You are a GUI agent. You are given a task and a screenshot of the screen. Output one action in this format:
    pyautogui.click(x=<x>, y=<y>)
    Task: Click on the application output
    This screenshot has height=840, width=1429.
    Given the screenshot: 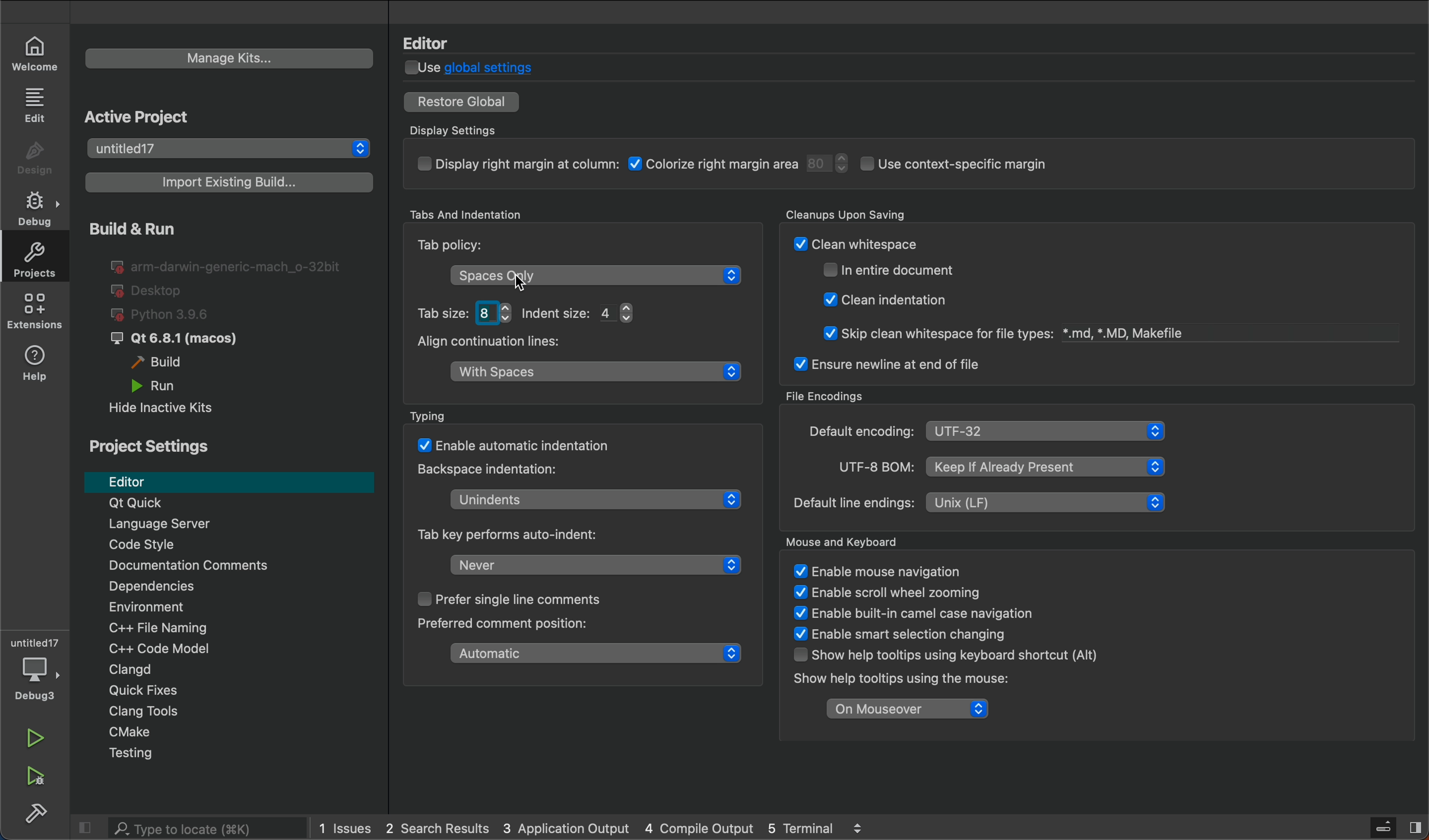 What is the action you would take?
    pyautogui.click(x=566, y=829)
    